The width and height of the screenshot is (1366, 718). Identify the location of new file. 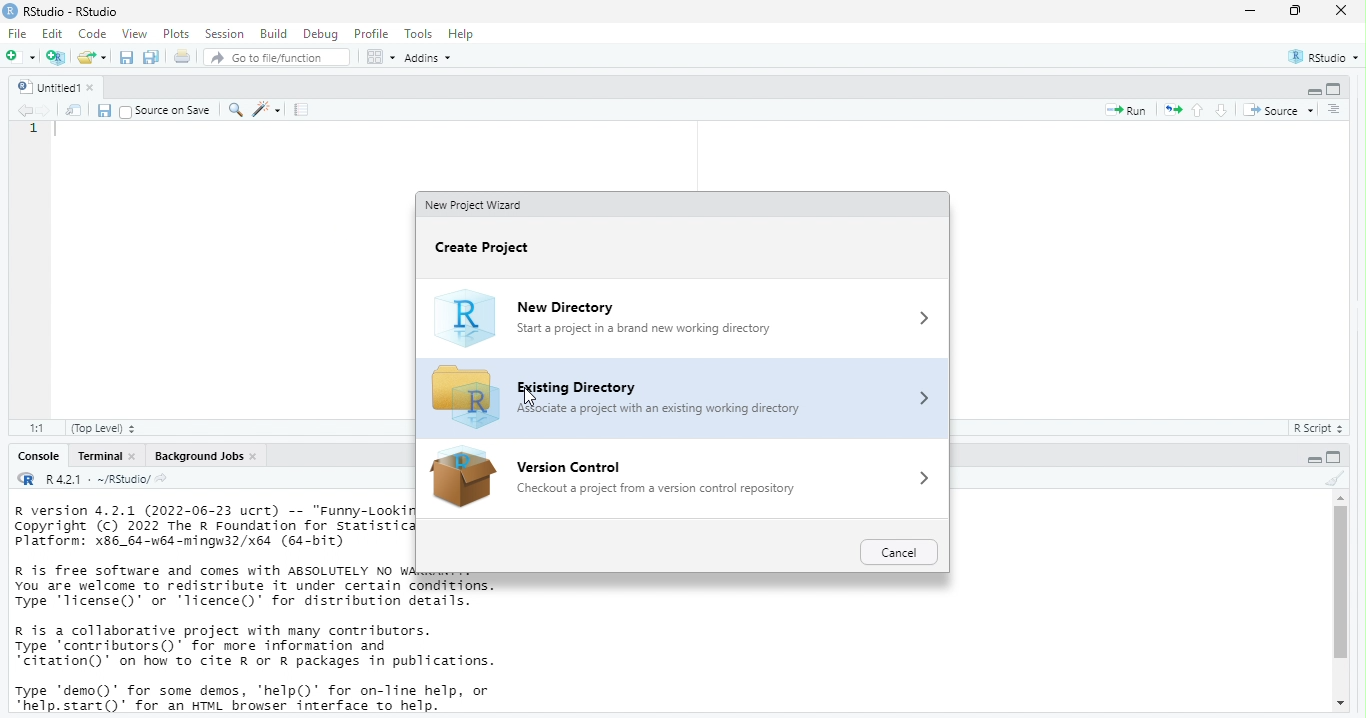
(19, 56).